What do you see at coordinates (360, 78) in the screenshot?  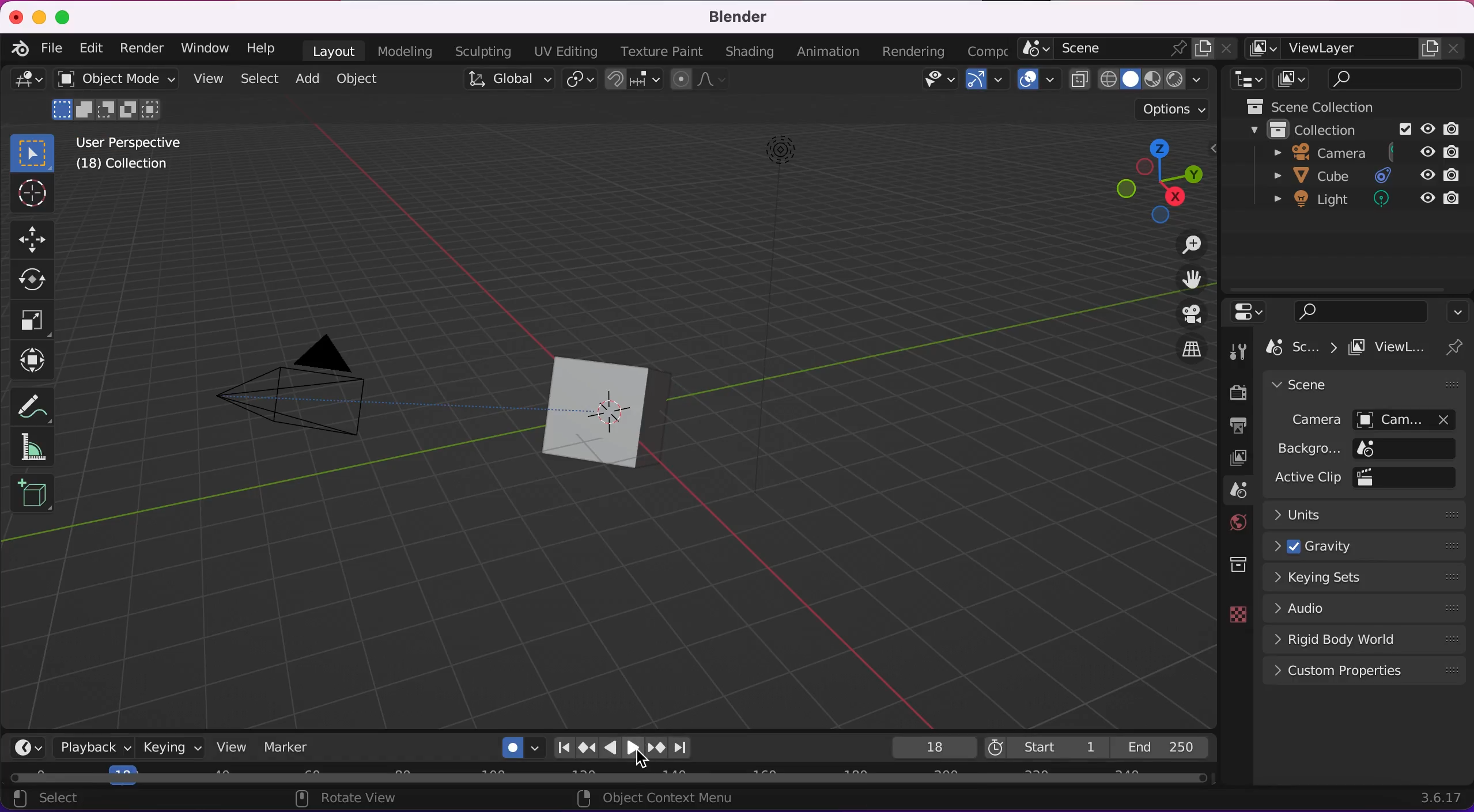 I see `object` at bounding box center [360, 78].